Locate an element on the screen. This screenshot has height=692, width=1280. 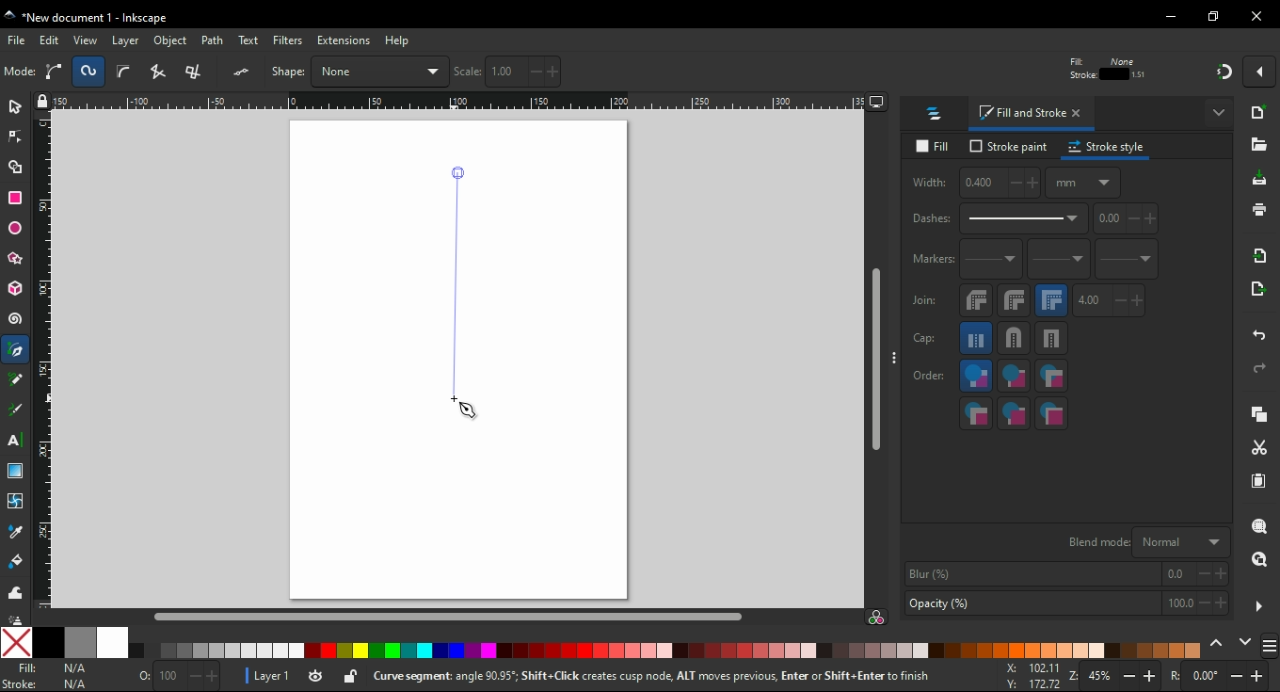
tweak tool is located at coordinates (15, 592).